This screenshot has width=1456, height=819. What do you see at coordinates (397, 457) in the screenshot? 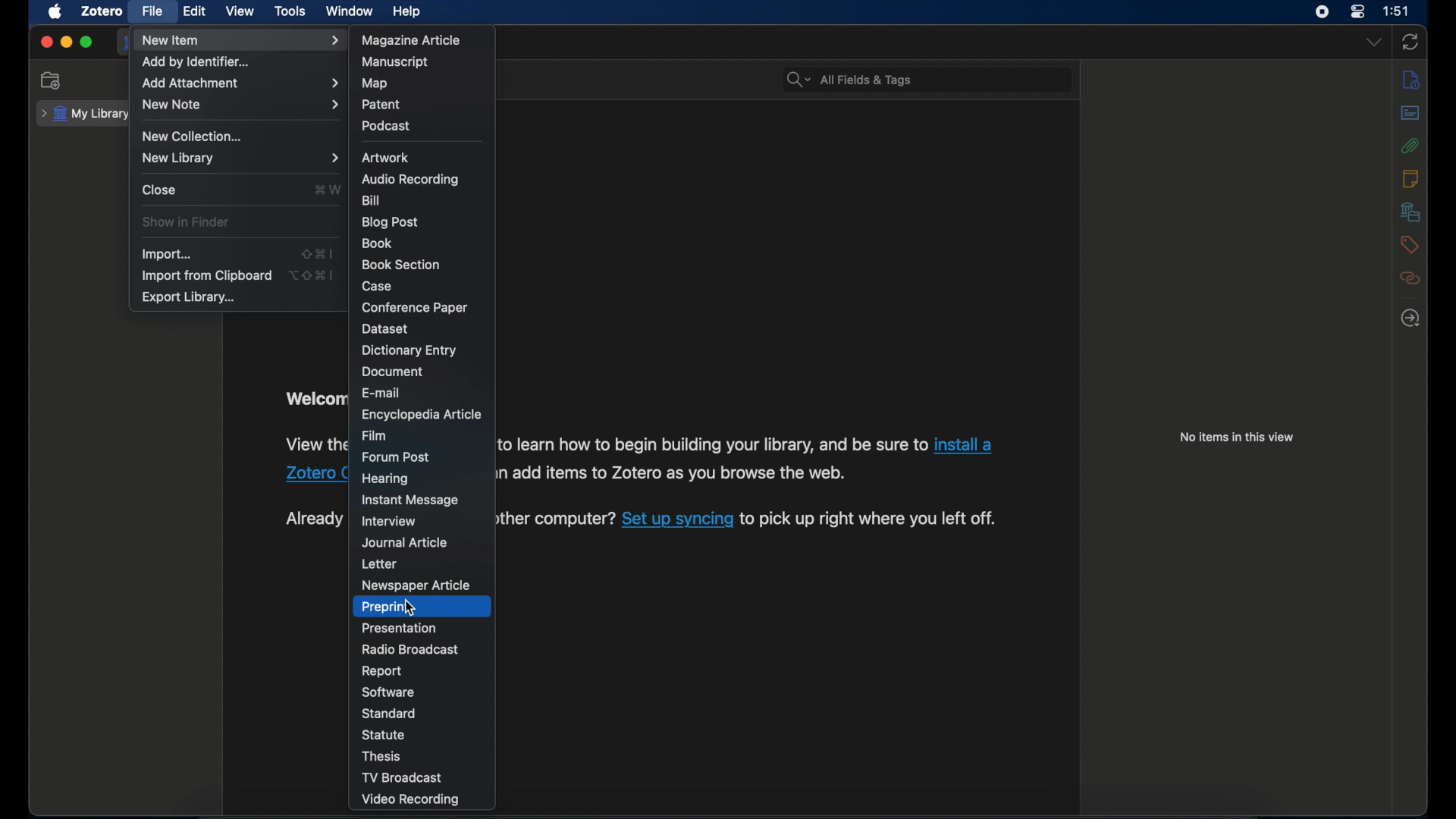
I see `forum post` at bounding box center [397, 457].